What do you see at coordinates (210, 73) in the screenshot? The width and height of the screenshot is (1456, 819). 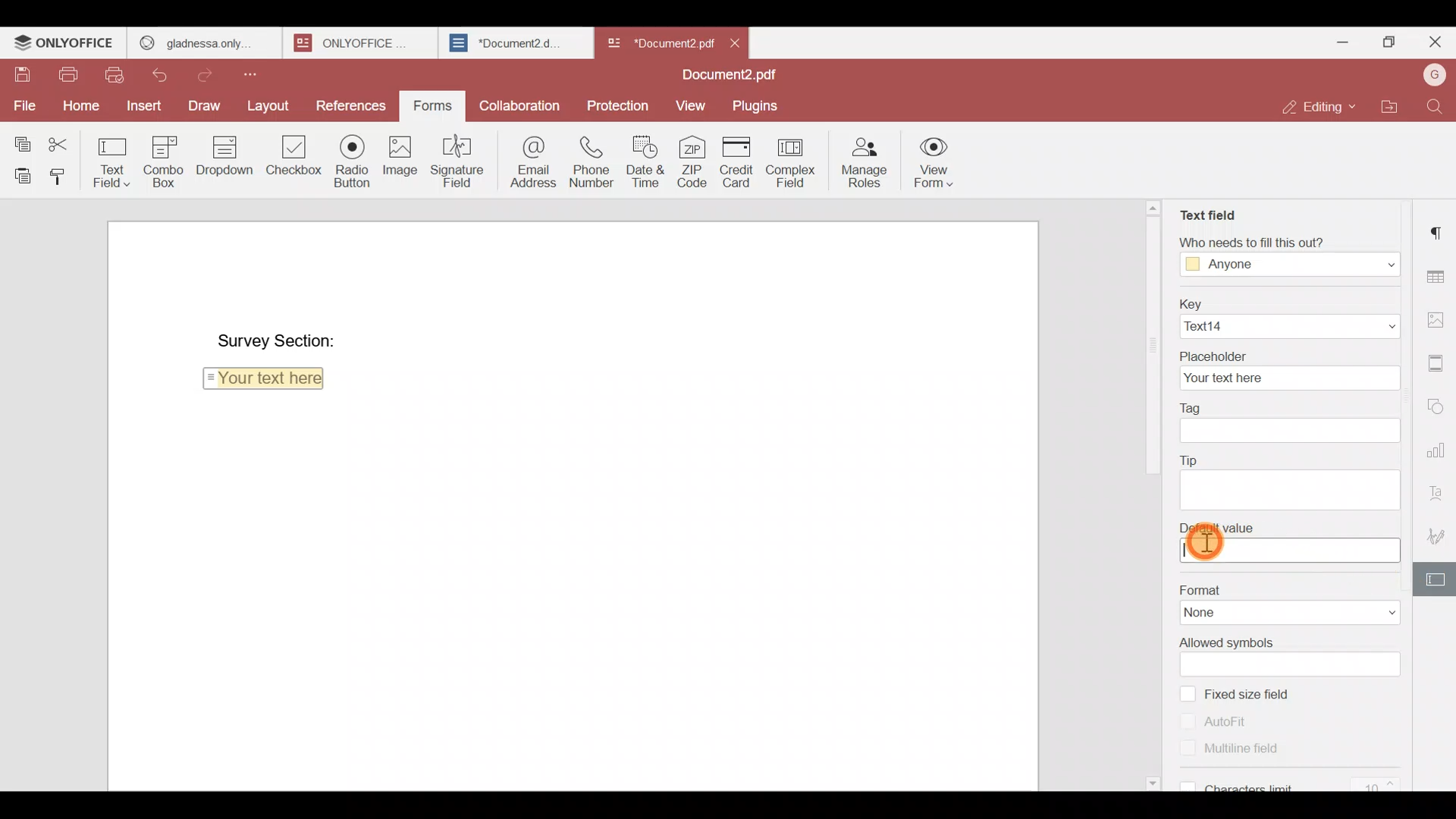 I see `Redo` at bounding box center [210, 73].